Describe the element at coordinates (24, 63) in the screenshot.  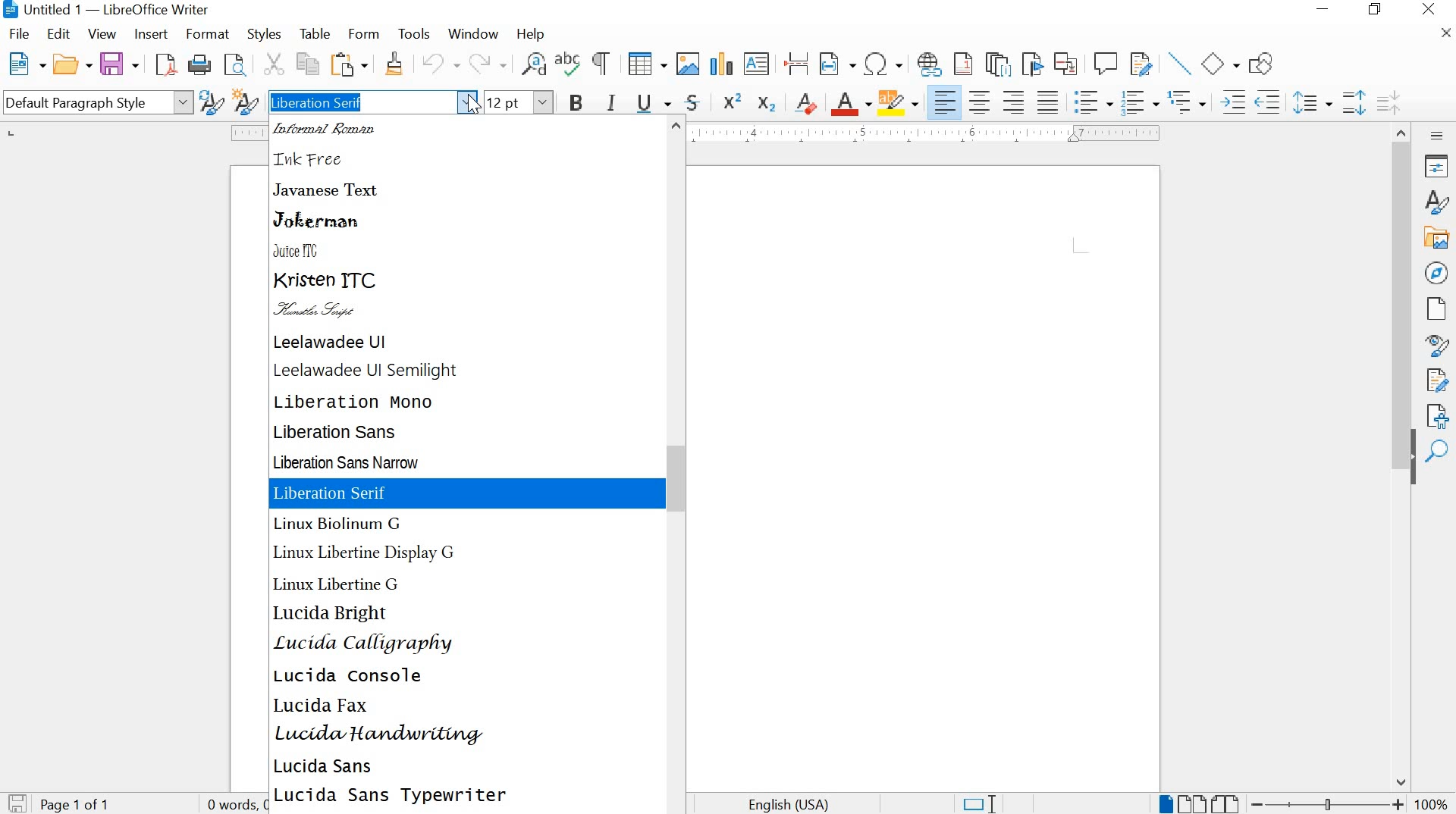
I see `NEW` at that location.